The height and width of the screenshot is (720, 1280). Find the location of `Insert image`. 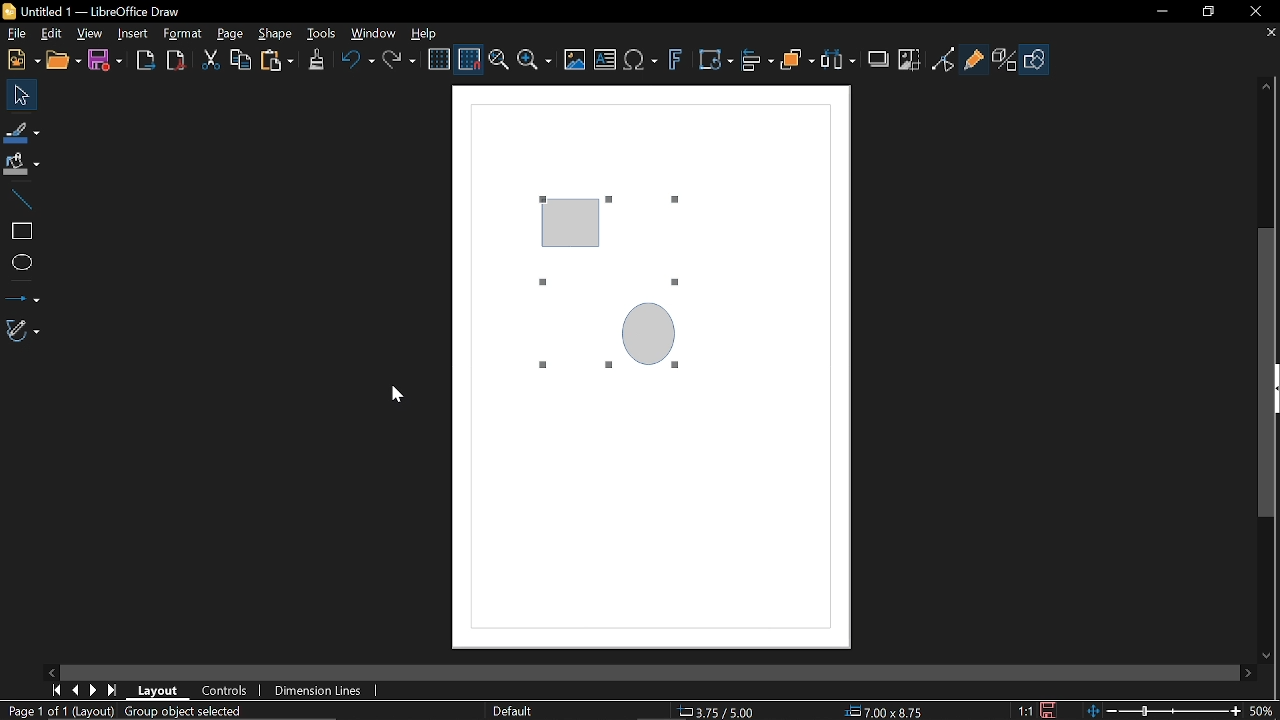

Insert image is located at coordinates (574, 60).